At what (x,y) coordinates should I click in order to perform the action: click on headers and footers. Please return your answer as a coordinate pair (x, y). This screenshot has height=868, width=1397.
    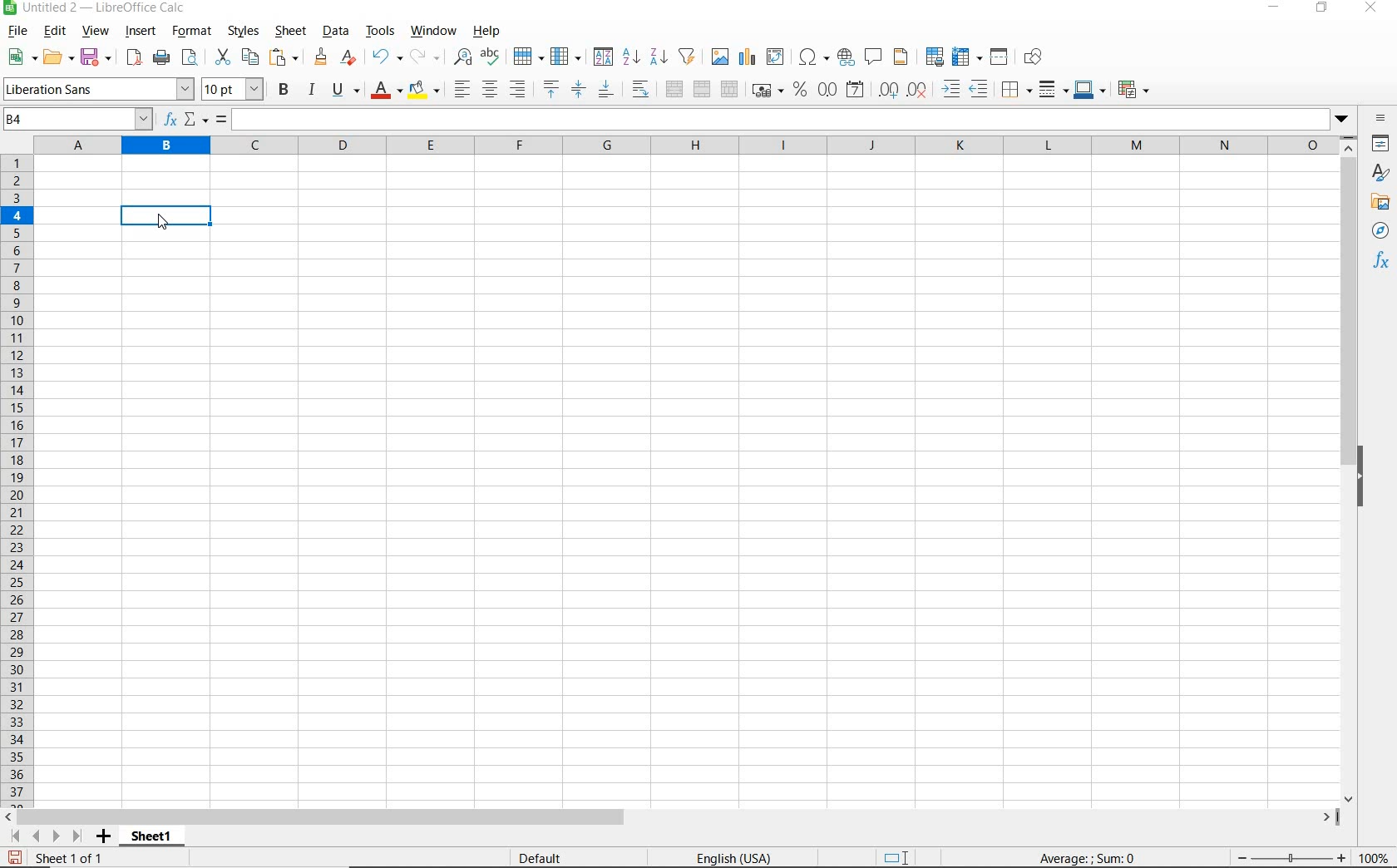
    Looking at the image, I should click on (902, 57).